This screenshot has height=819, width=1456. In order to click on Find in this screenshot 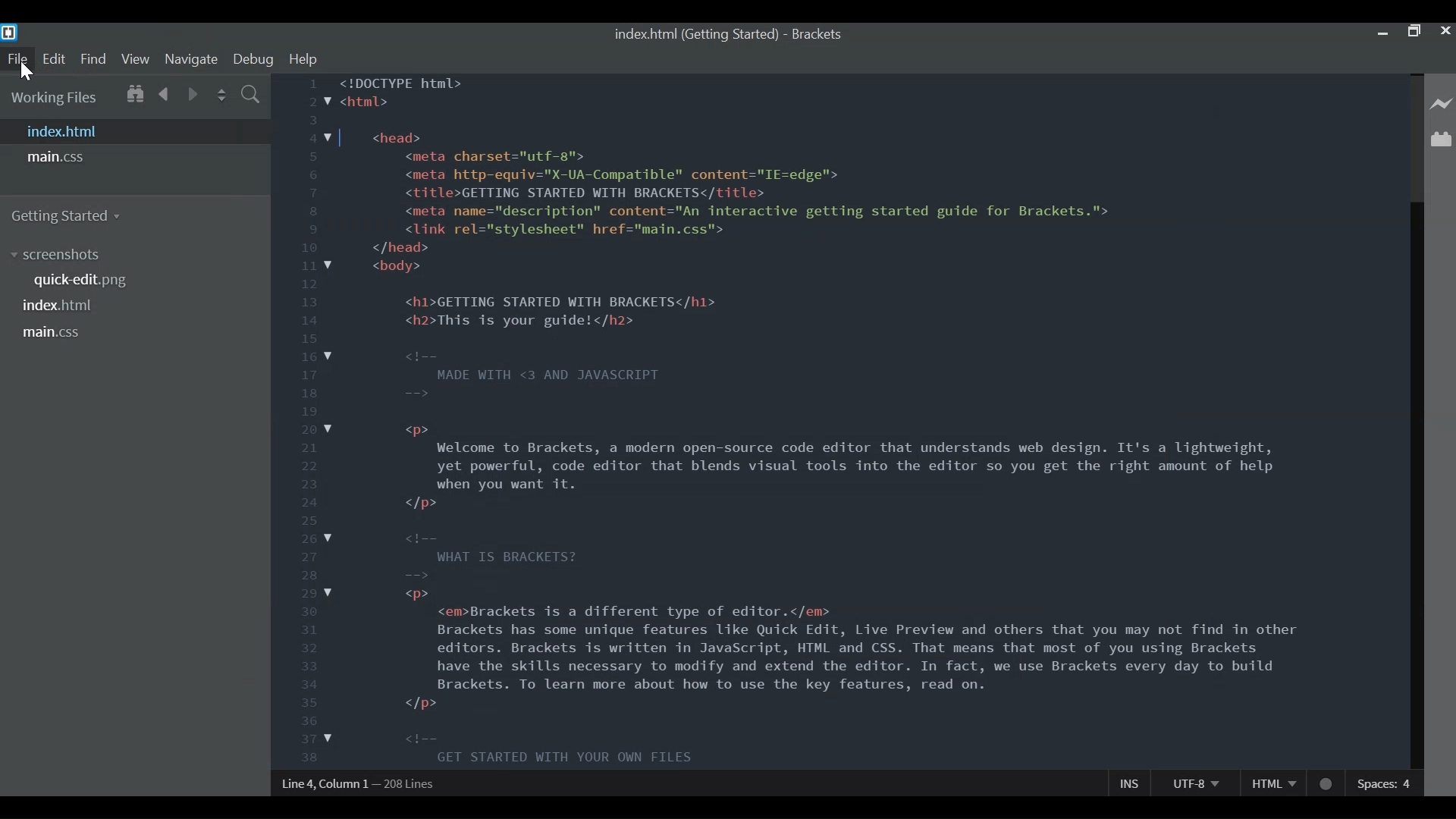, I will do `click(94, 58)`.